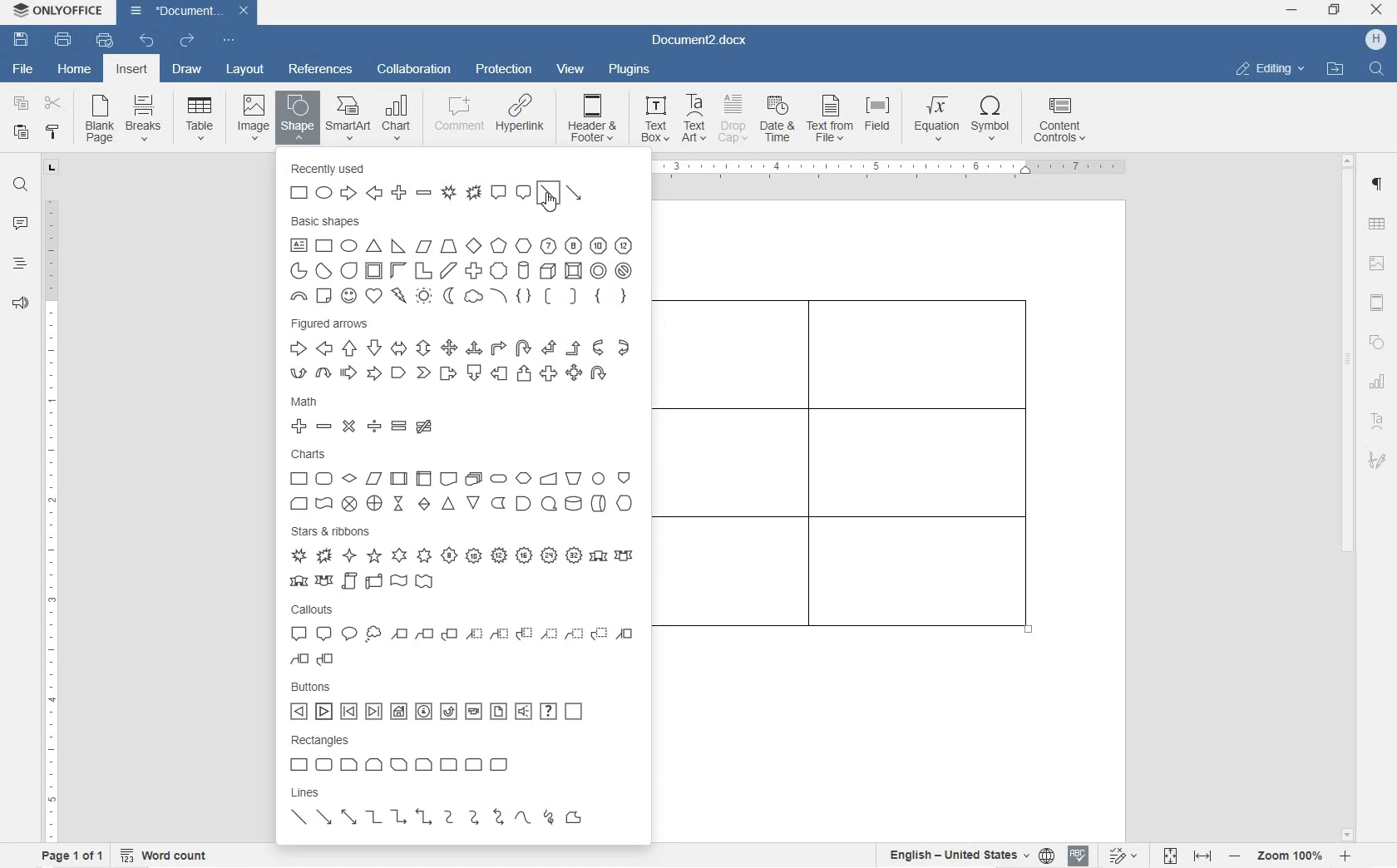 The height and width of the screenshot is (868, 1397). Describe the element at coordinates (1291, 10) in the screenshot. I see `minimize` at that location.